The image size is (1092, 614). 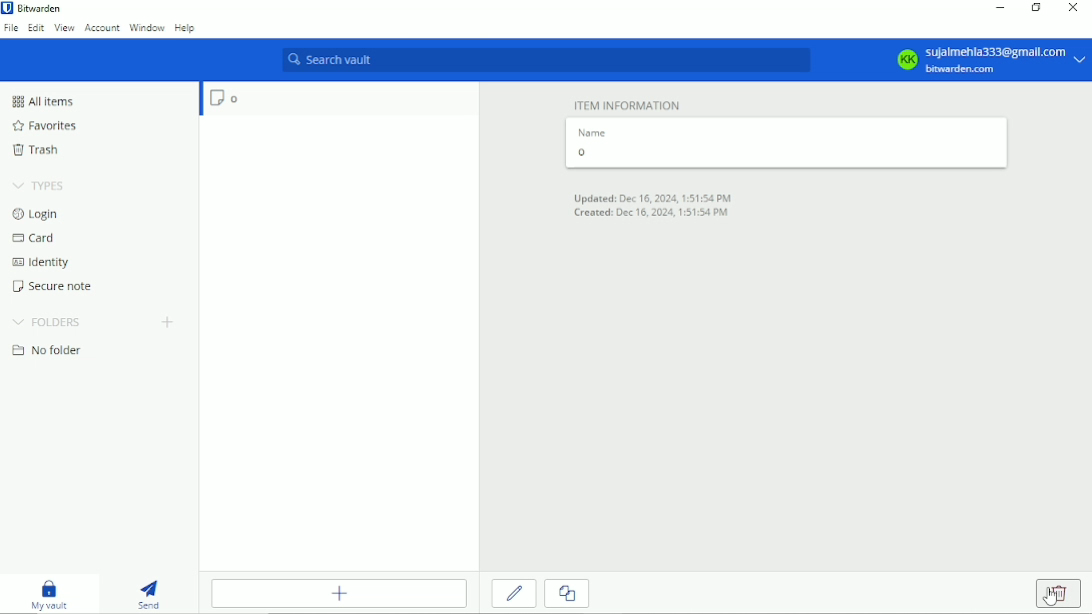 What do you see at coordinates (339, 100) in the screenshot?
I see `o` at bounding box center [339, 100].